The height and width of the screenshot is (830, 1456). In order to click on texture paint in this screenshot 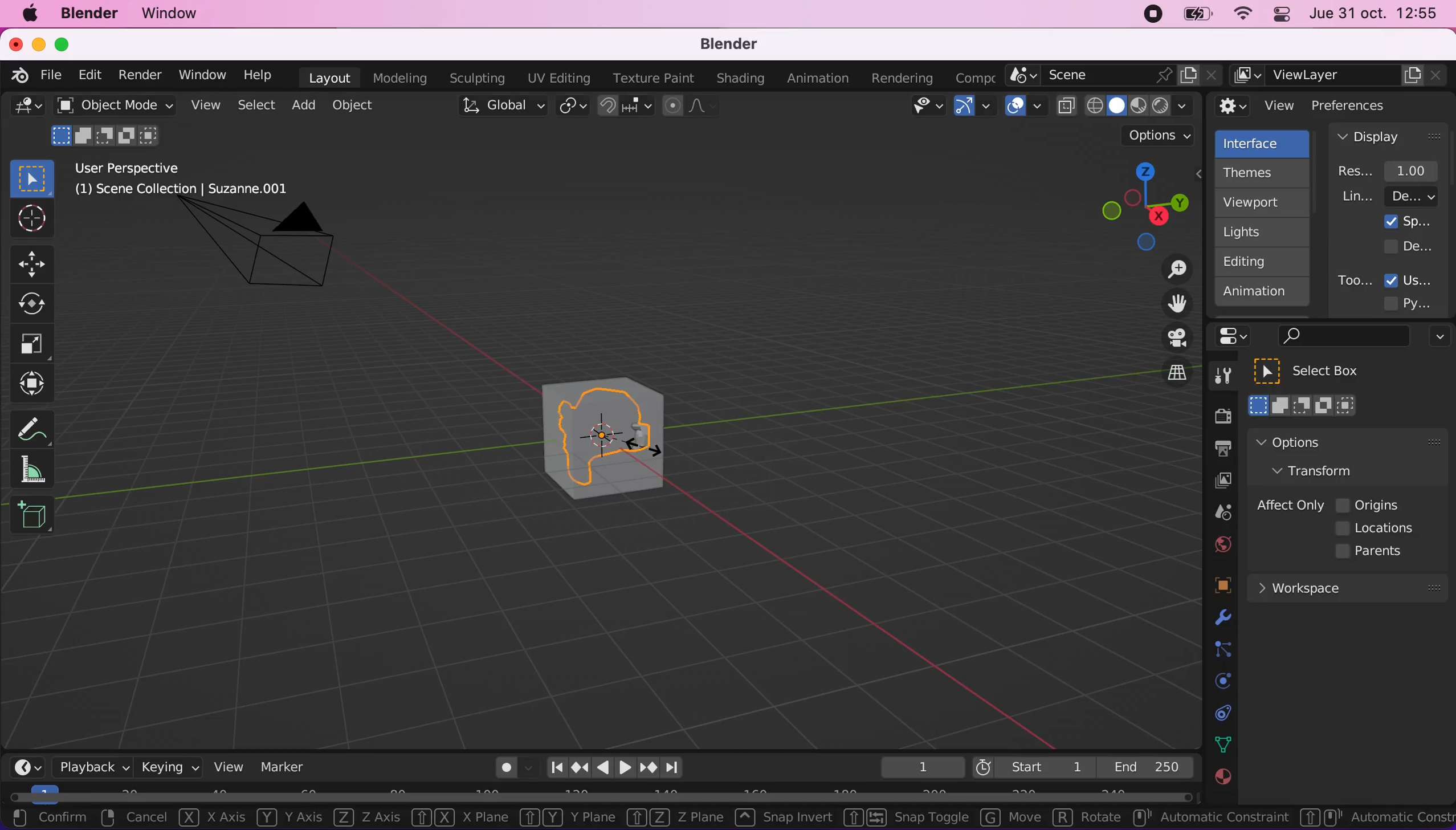, I will do `click(651, 78)`.